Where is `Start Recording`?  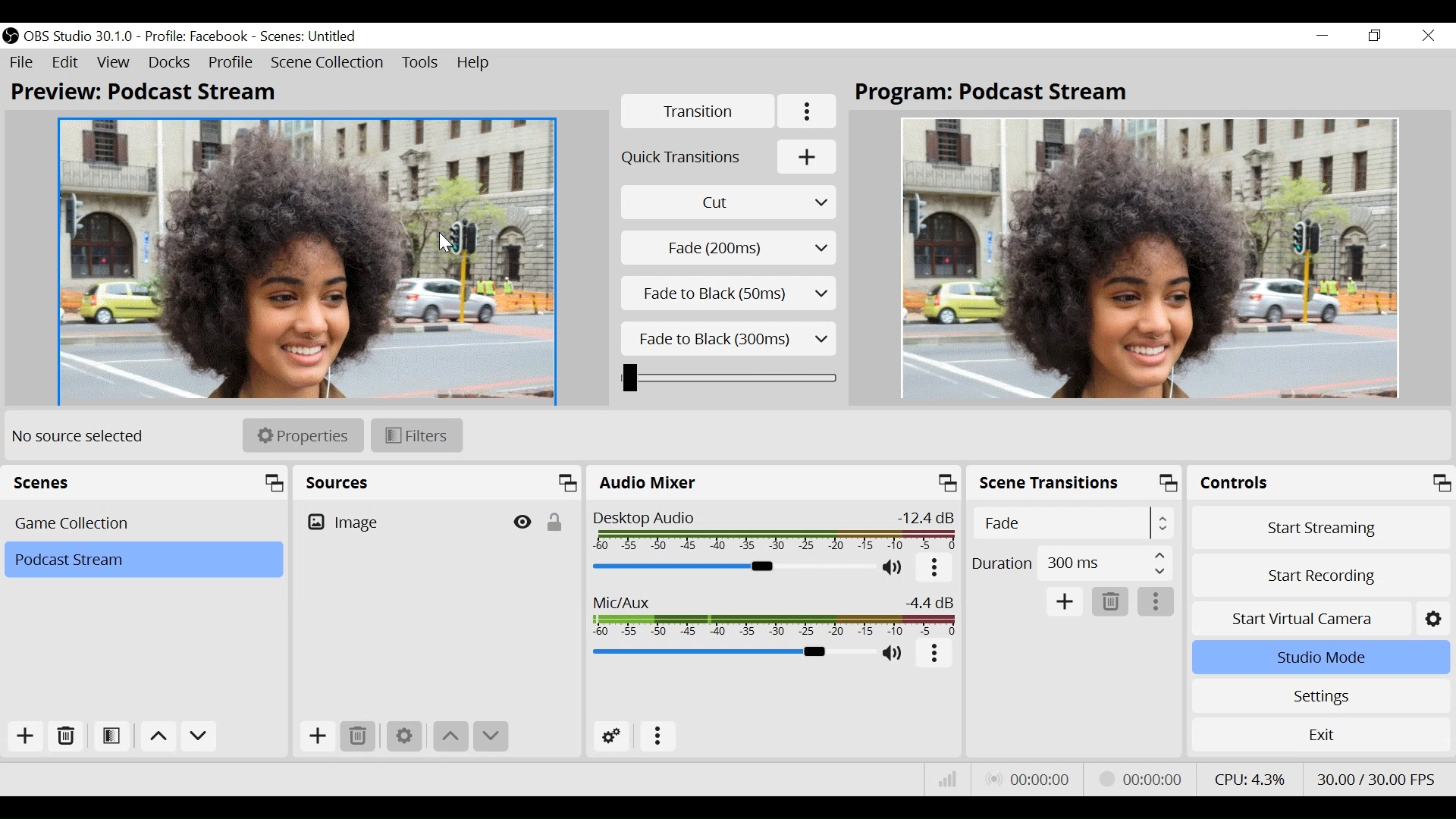 Start Recording is located at coordinates (1319, 575).